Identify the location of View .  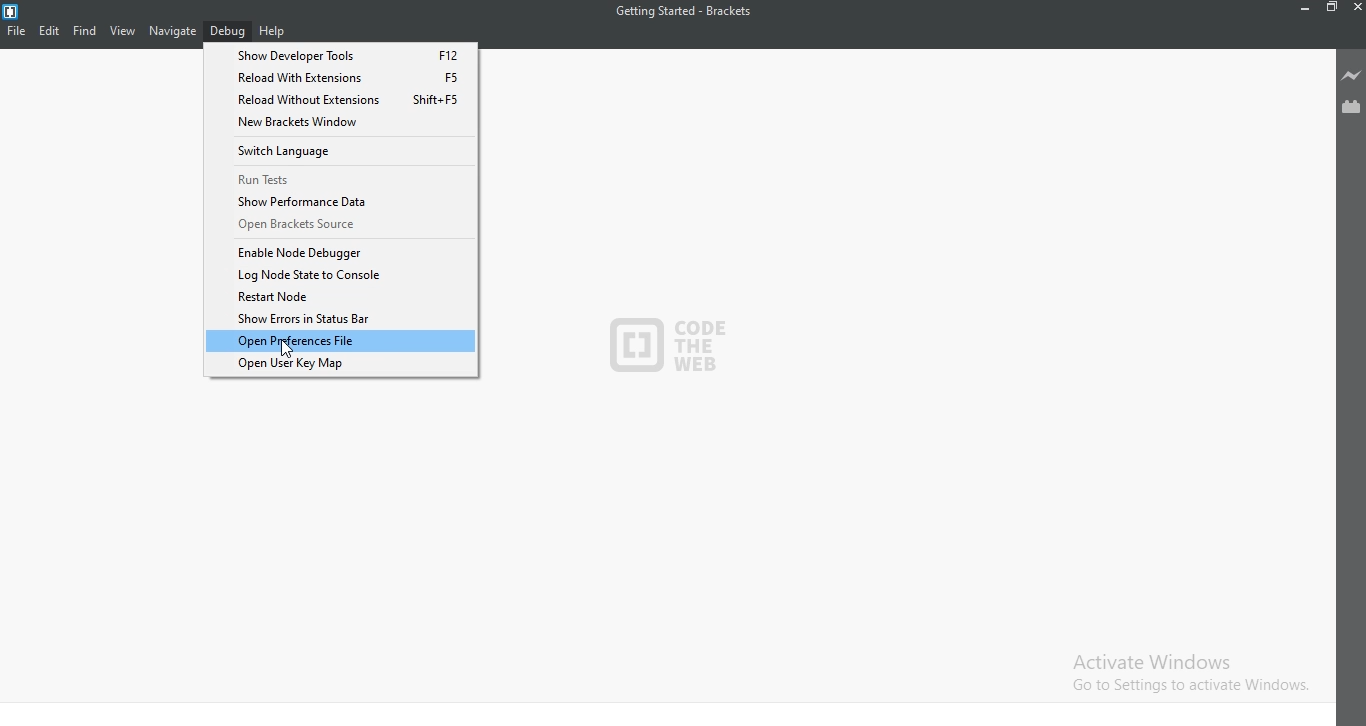
(123, 30).